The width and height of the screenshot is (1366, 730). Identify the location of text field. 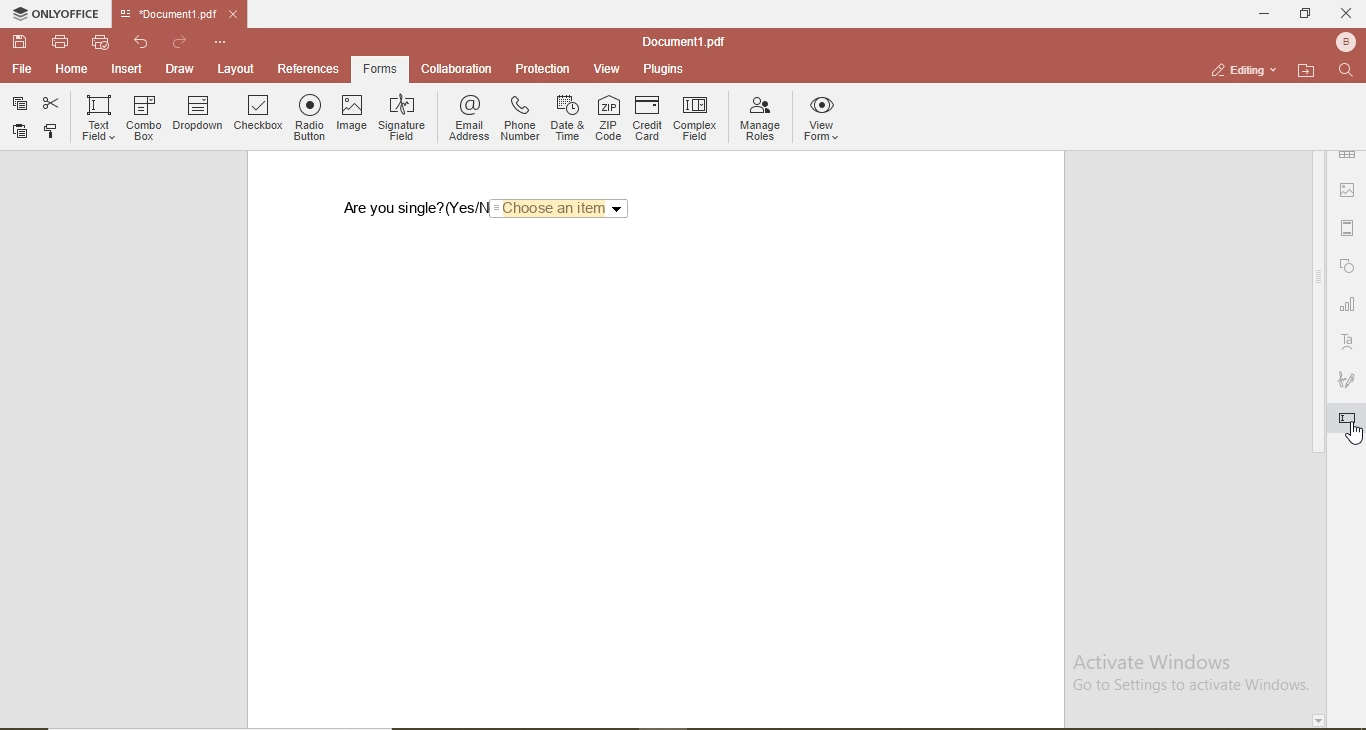
(99, 119).